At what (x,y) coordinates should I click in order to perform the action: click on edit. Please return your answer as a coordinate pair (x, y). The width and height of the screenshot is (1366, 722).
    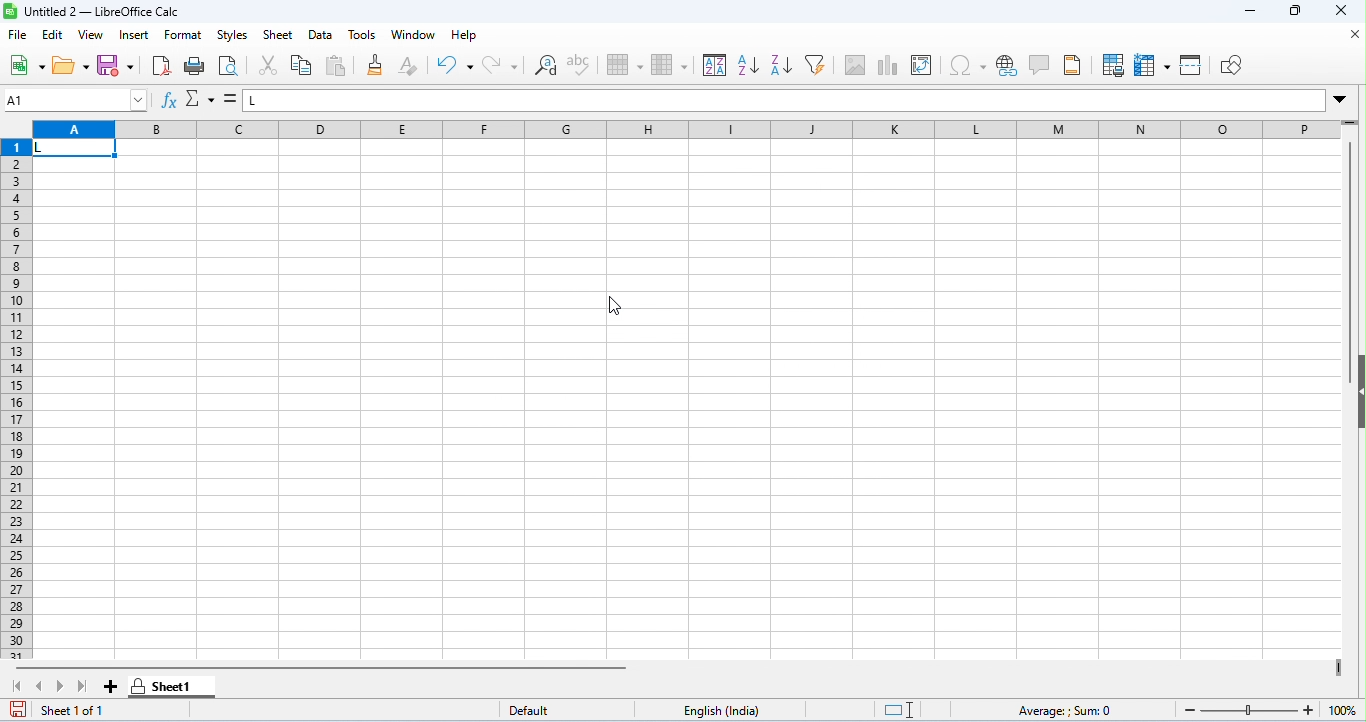
    Looking at the image, I should click on (54, 36).